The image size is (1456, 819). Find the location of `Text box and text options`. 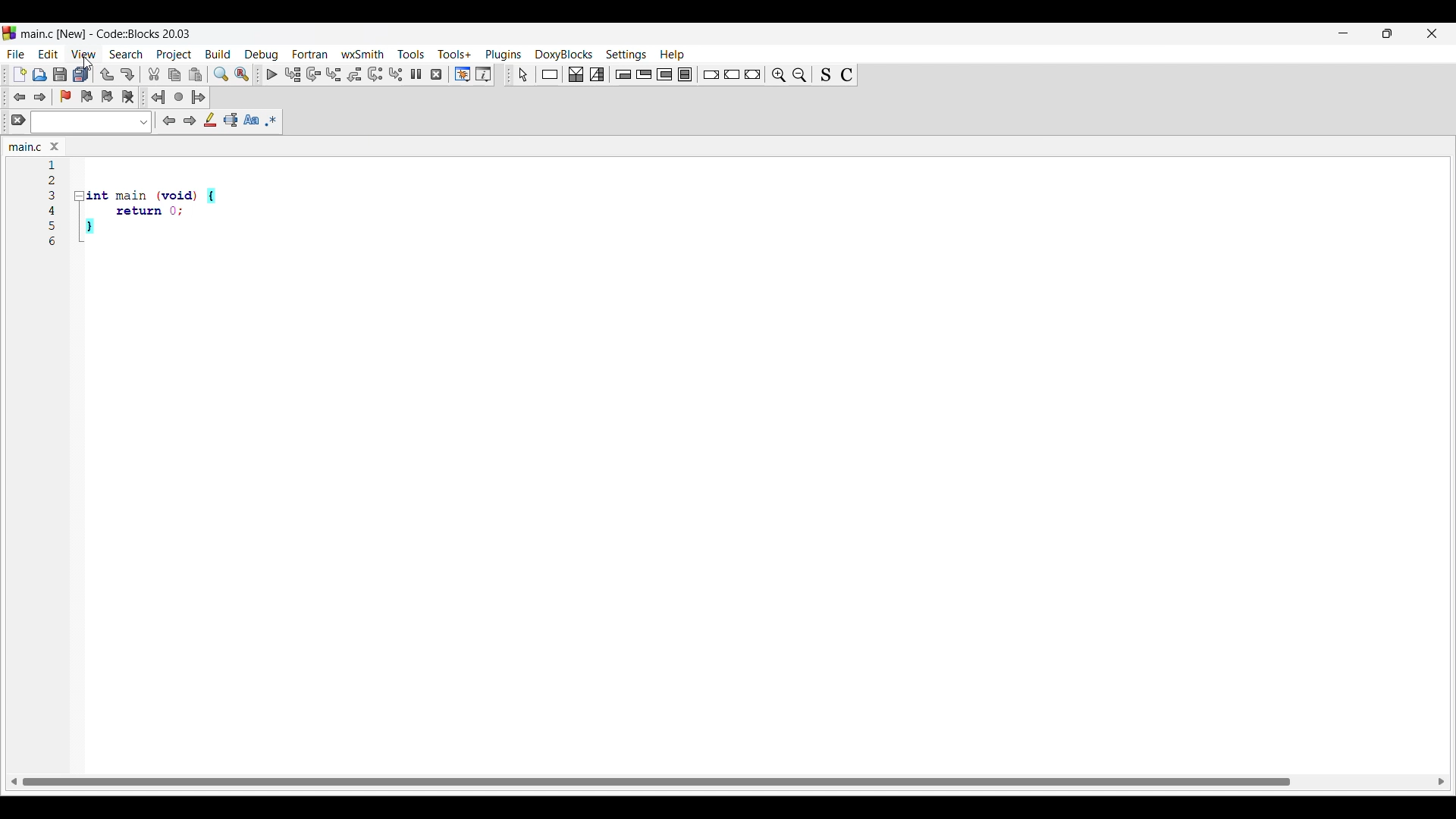

Text box and text options is located at coordinates (91, 122).